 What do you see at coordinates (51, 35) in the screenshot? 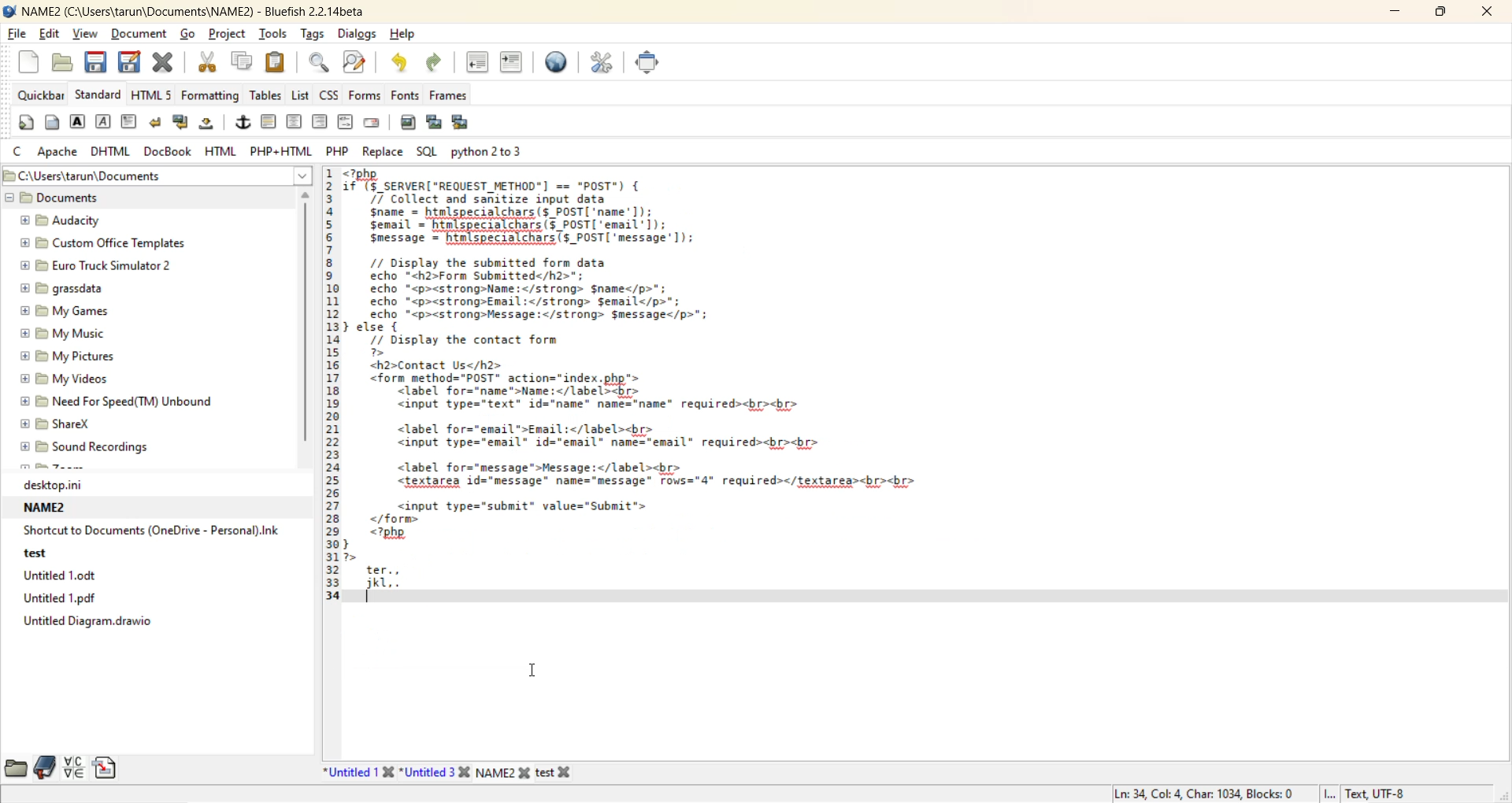
I see `edit` at bounding box center [51, 35].